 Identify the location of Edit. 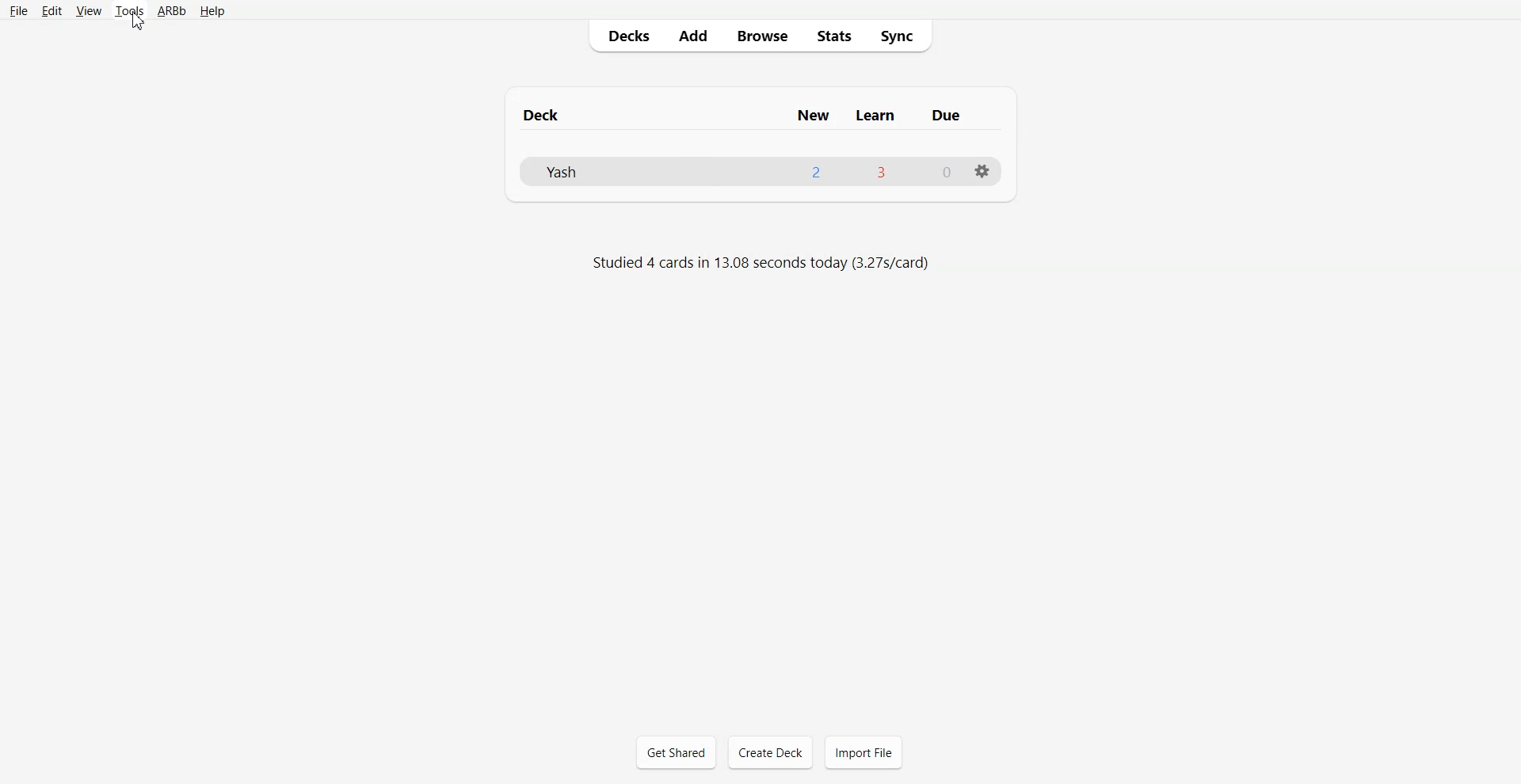
(52, 11).